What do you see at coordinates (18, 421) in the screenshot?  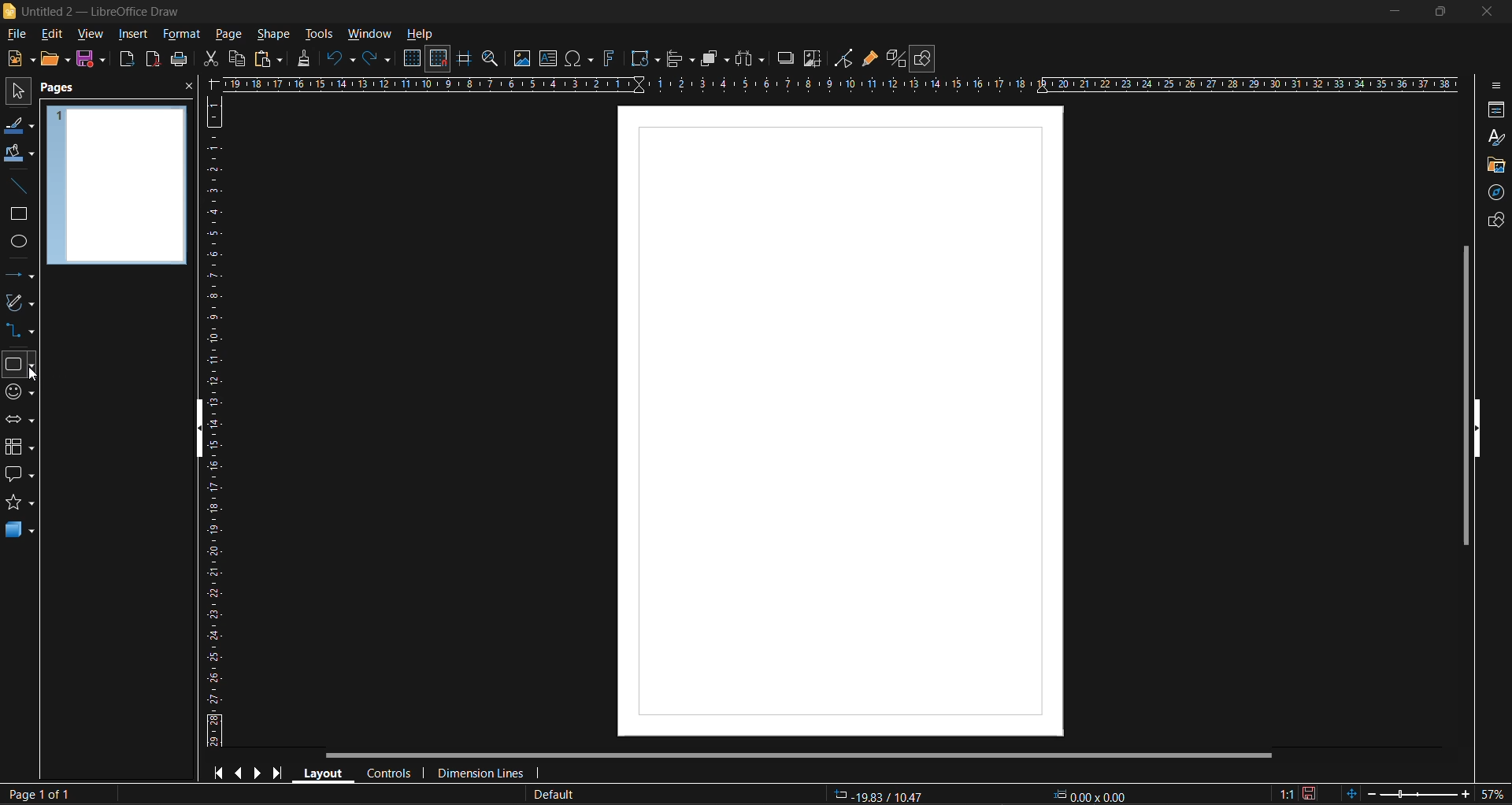 I see `block arrows` at bounding box center [18, 421].